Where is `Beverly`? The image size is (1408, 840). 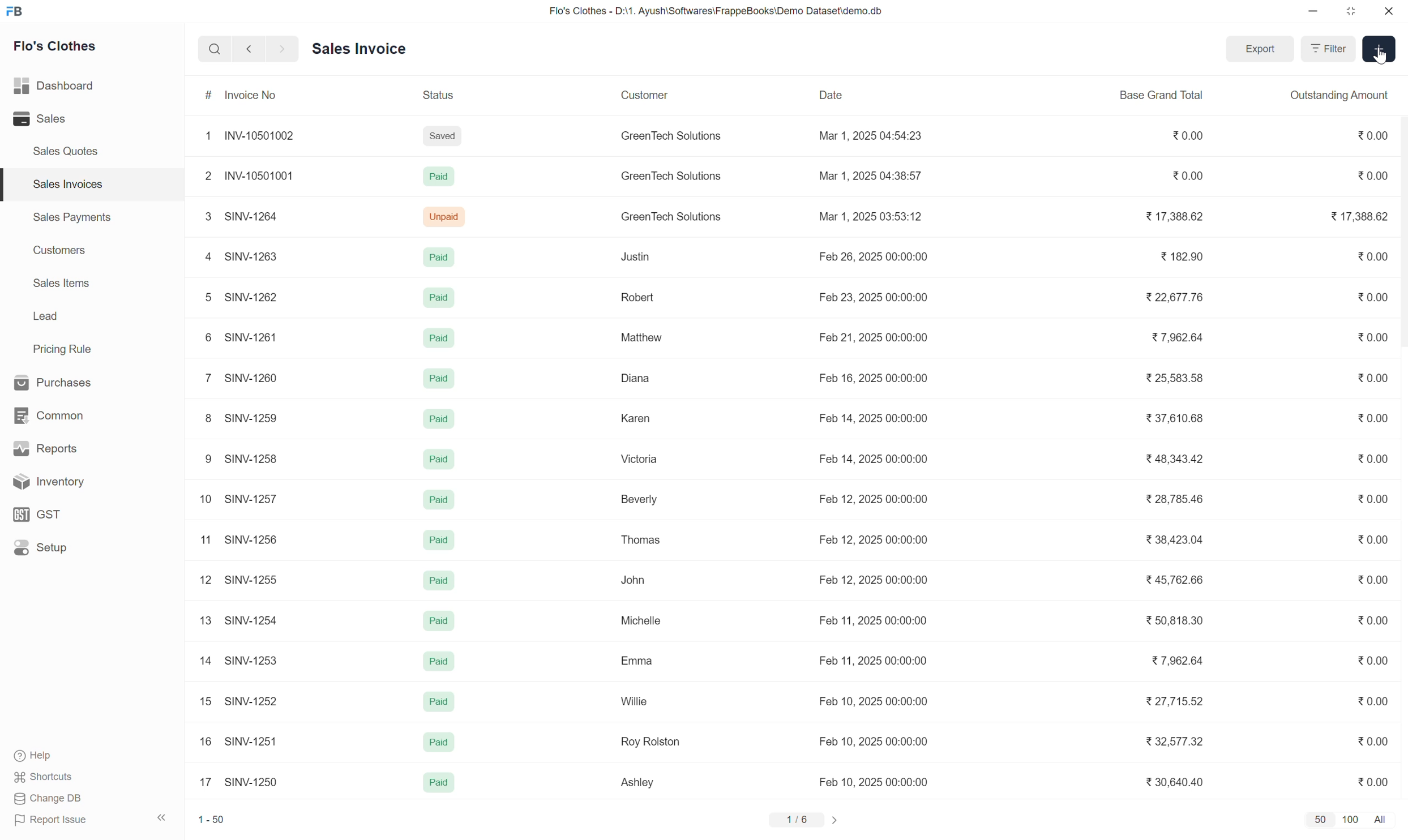
Beverly is located at coordinates (640, 499).